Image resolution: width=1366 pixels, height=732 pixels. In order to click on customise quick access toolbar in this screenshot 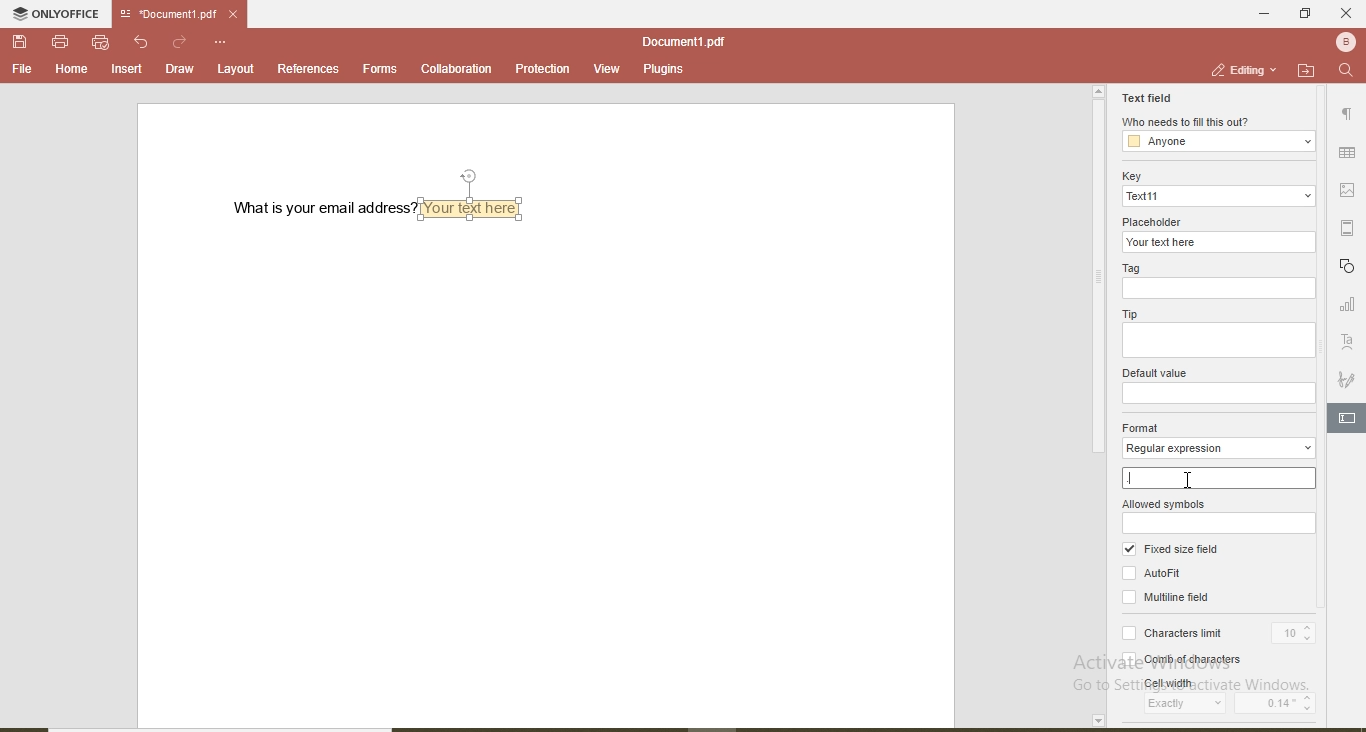, I will do `click(222, 41)`.